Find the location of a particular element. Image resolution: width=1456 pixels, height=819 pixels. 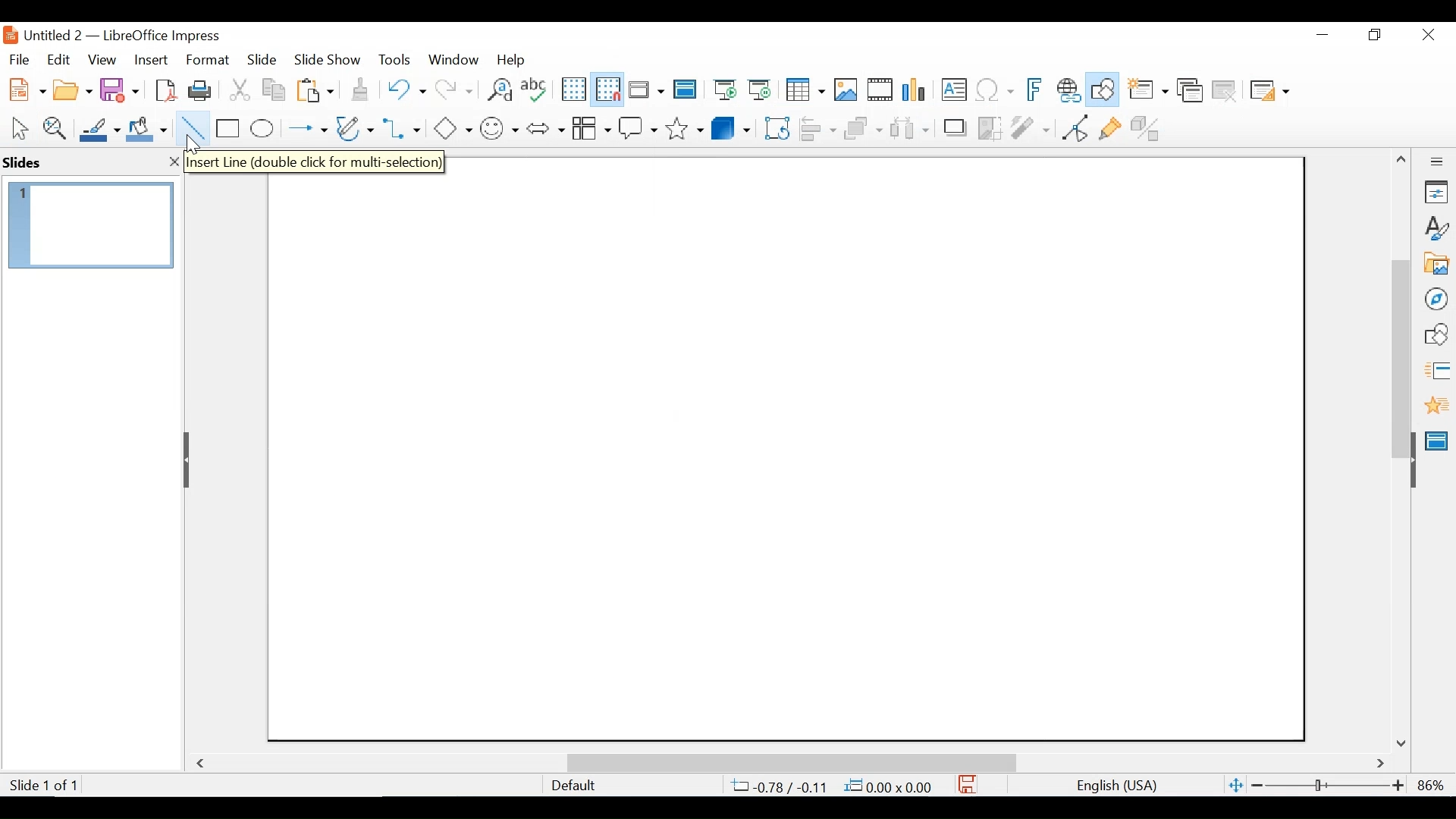

Restore is located at coordinates (1373, 35).